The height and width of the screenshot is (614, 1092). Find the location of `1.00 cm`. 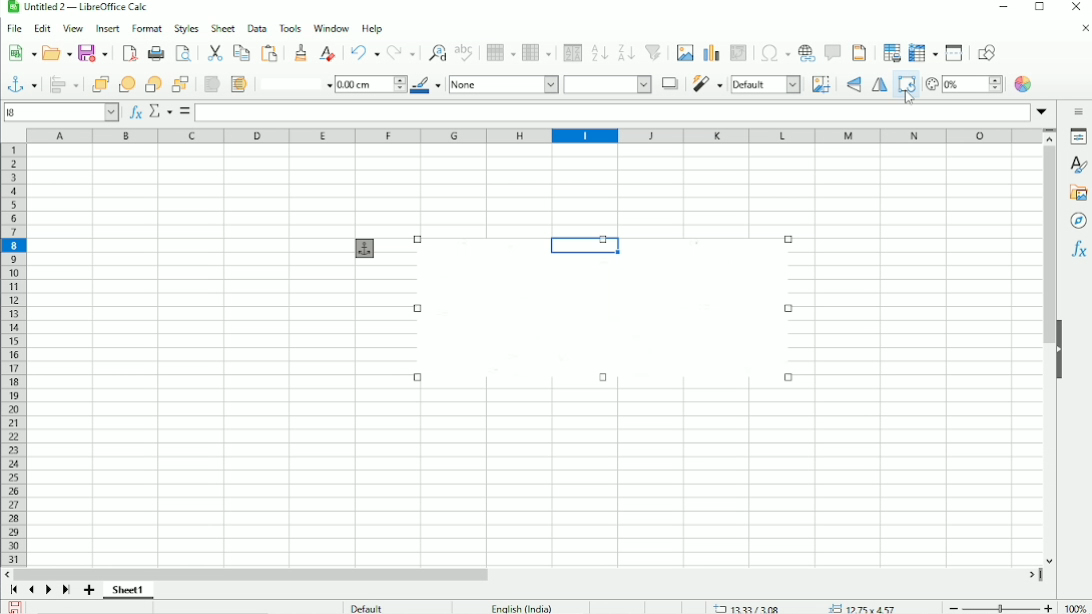

1.00 cm is located at coordinates (370, 85).